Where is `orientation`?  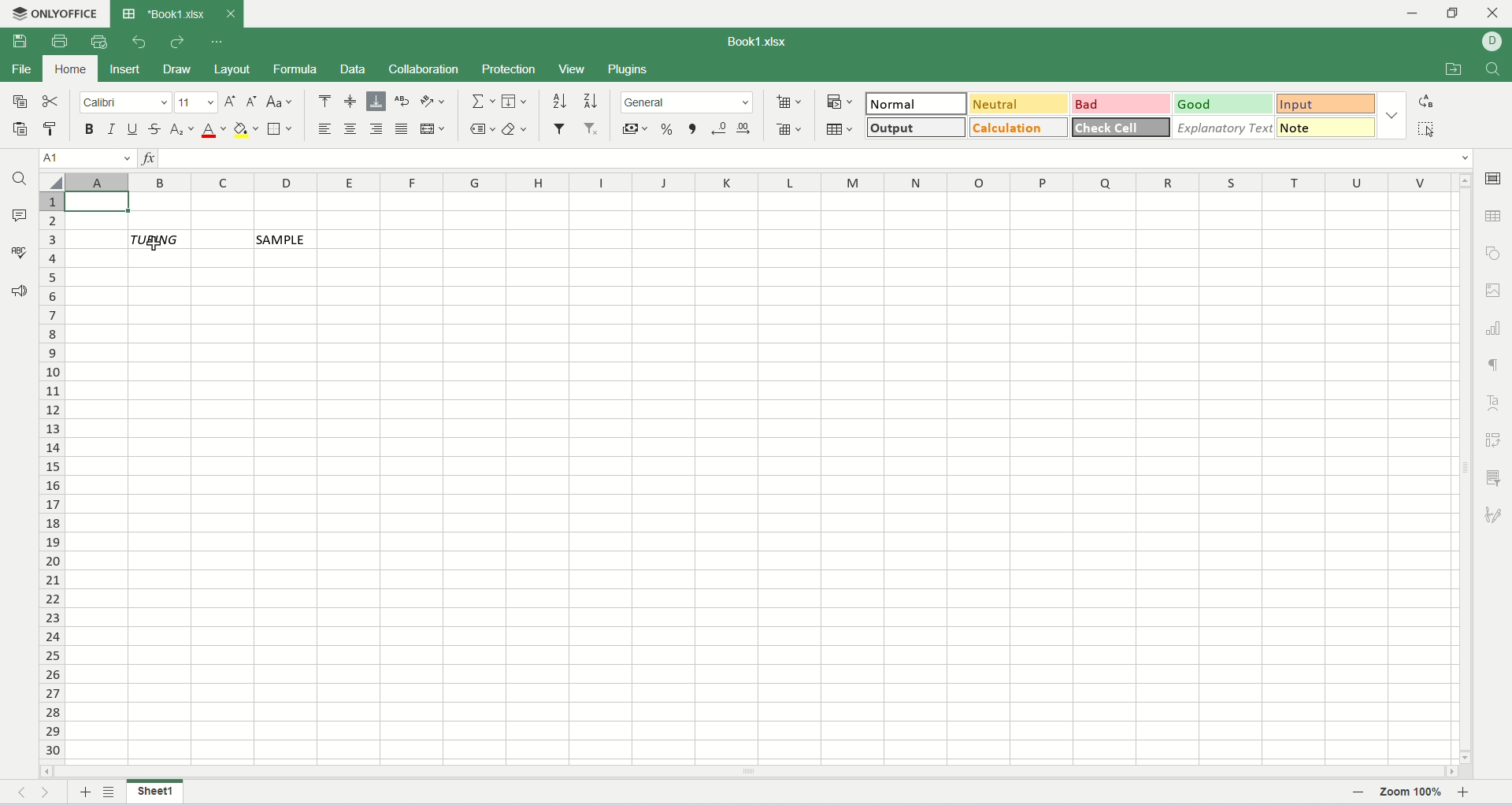 orientation is located at coordinates (433, 102).